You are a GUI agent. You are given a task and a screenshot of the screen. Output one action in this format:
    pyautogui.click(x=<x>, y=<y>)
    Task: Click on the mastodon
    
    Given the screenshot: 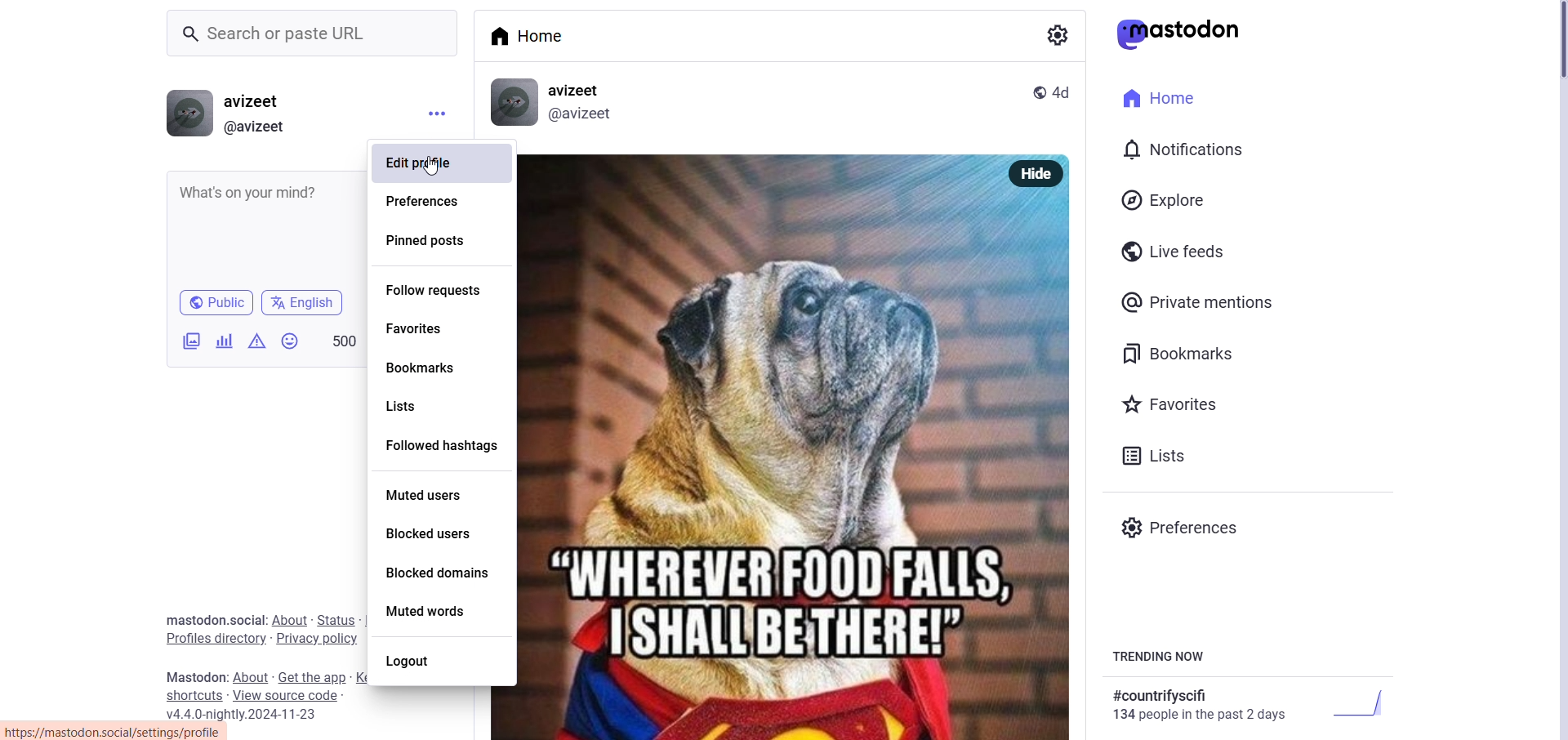 What is the action you would take?
    pyautogui.click(x=193, y=675)
    